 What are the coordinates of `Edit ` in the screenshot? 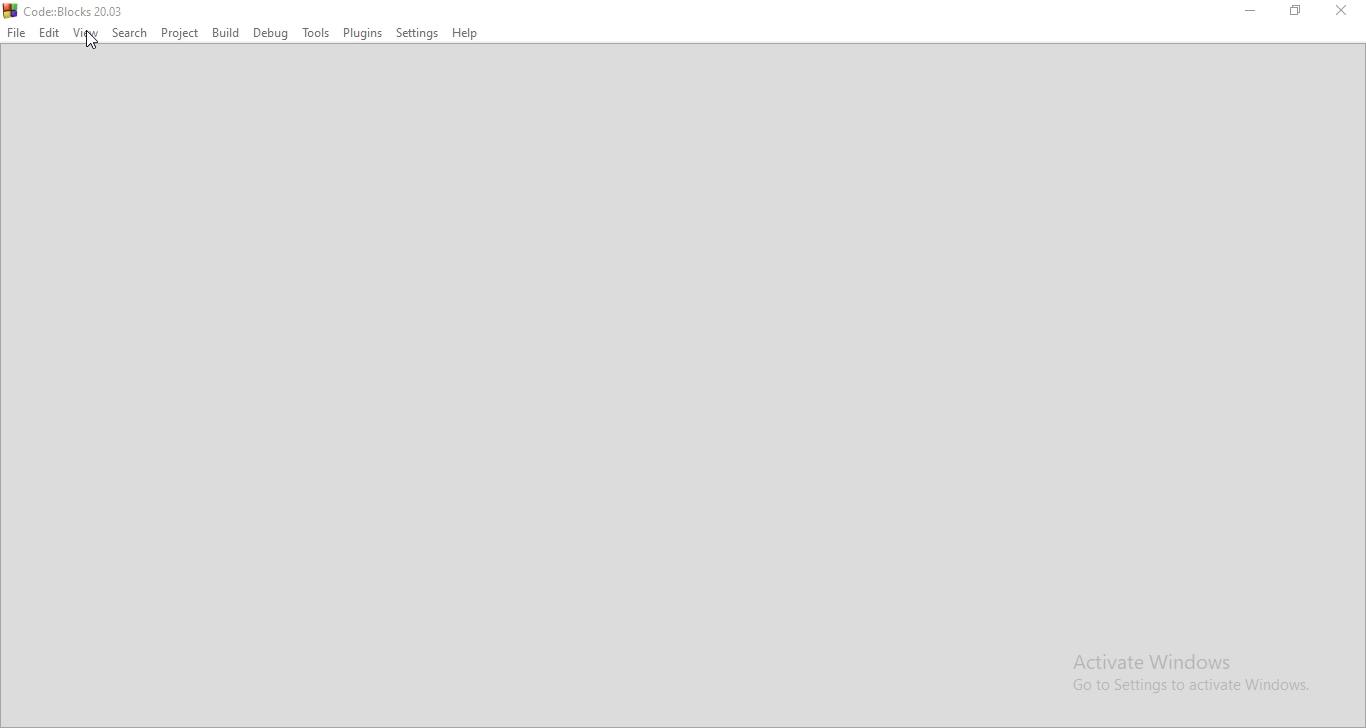 It's located at (49, 33).